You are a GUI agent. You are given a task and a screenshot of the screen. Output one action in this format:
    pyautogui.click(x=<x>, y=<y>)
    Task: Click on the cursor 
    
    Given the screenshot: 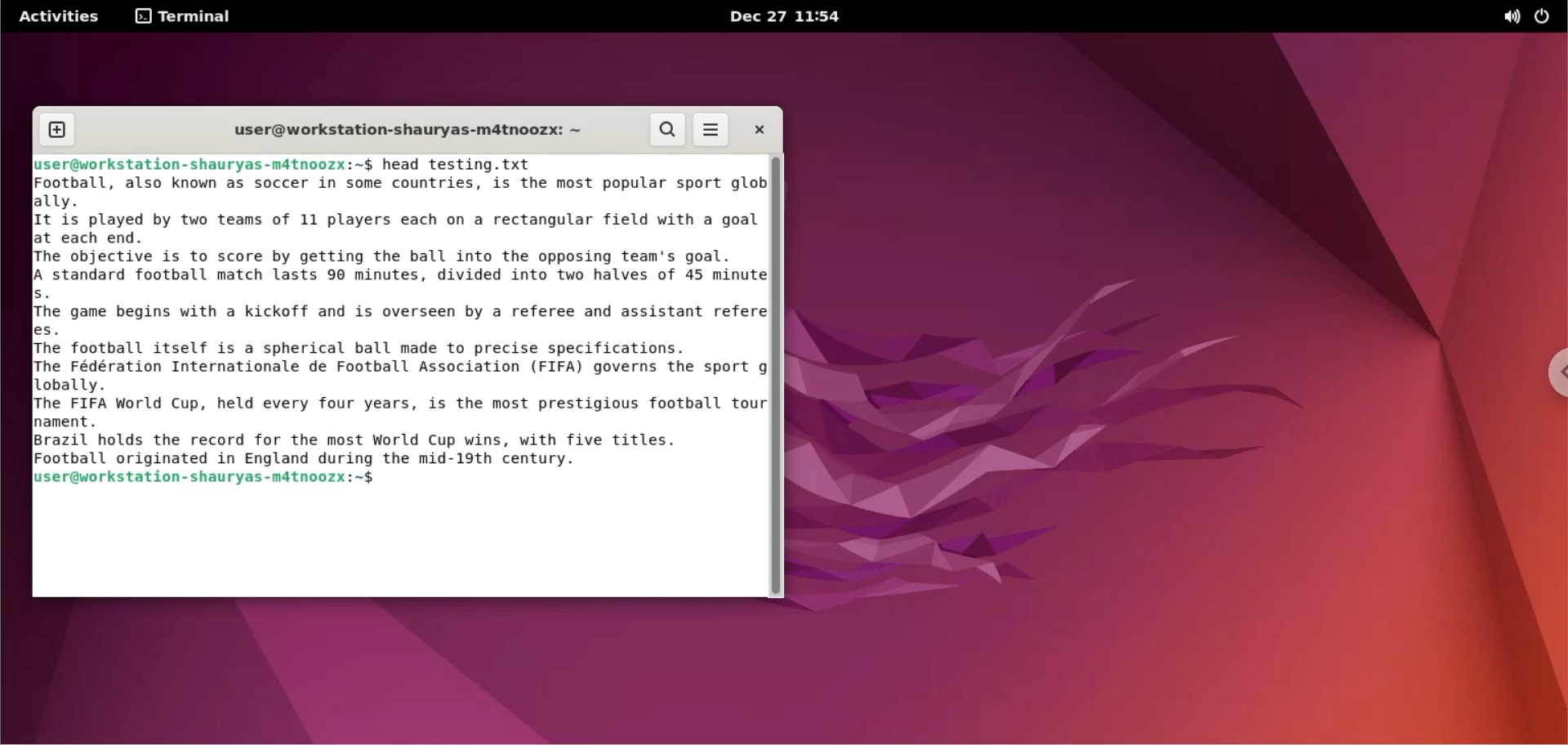 What is the action you would take?
    pyautogui.click(x=381, y=480)
    